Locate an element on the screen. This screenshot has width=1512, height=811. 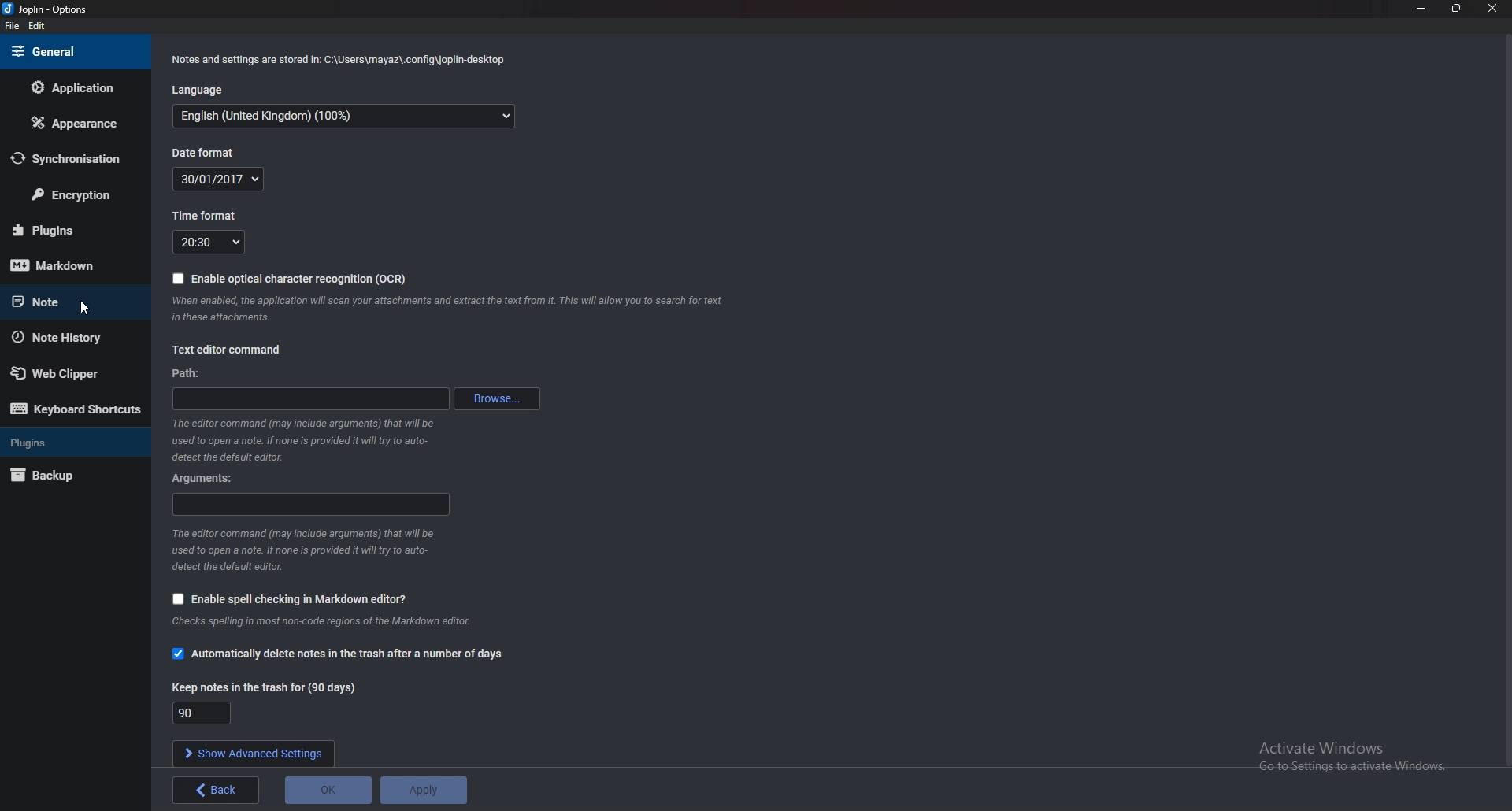
resize is located at coordinates (1457, 8).